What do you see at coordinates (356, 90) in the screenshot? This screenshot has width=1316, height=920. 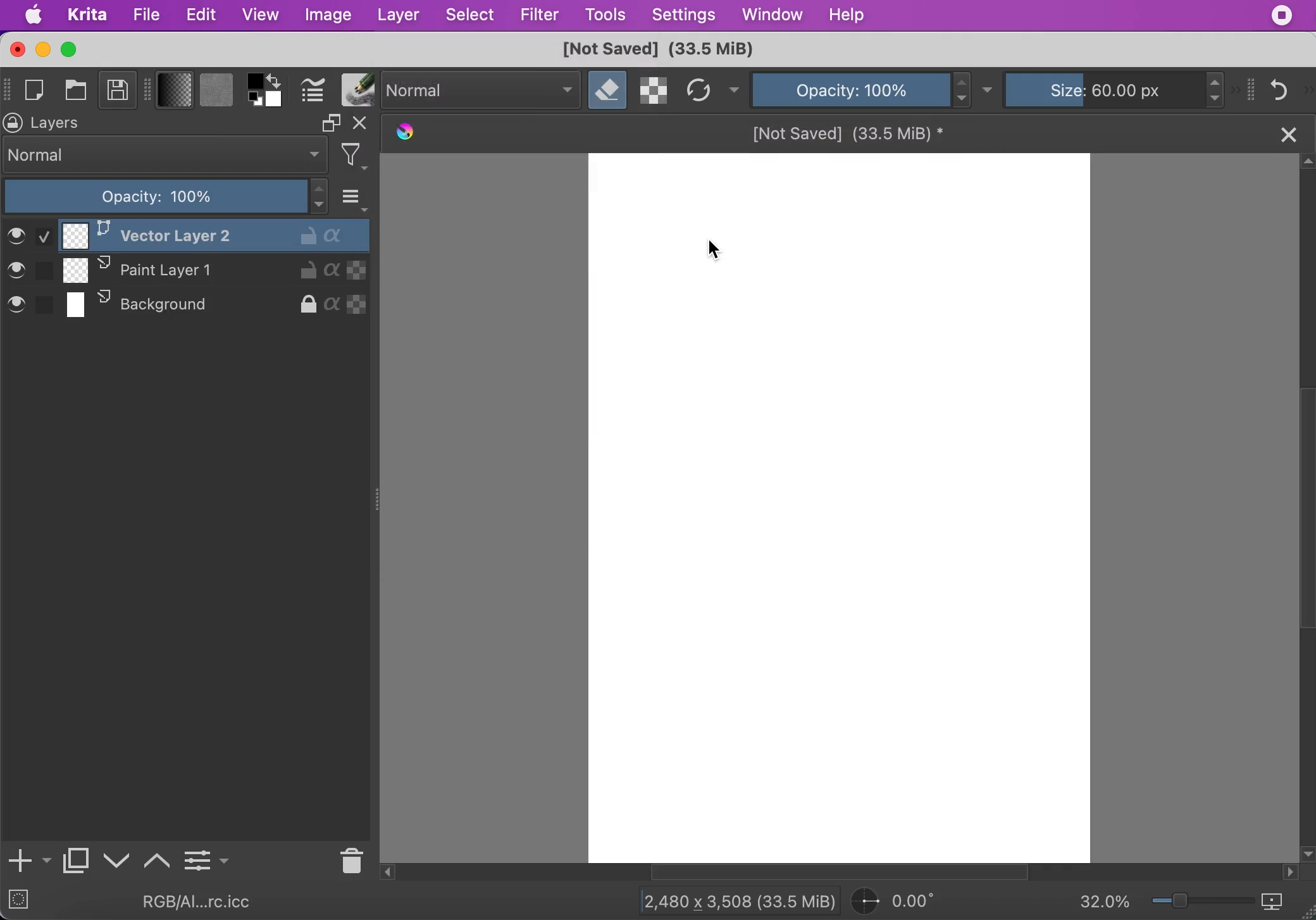 I see `choose brush preset` at bounding box center [356, 90].